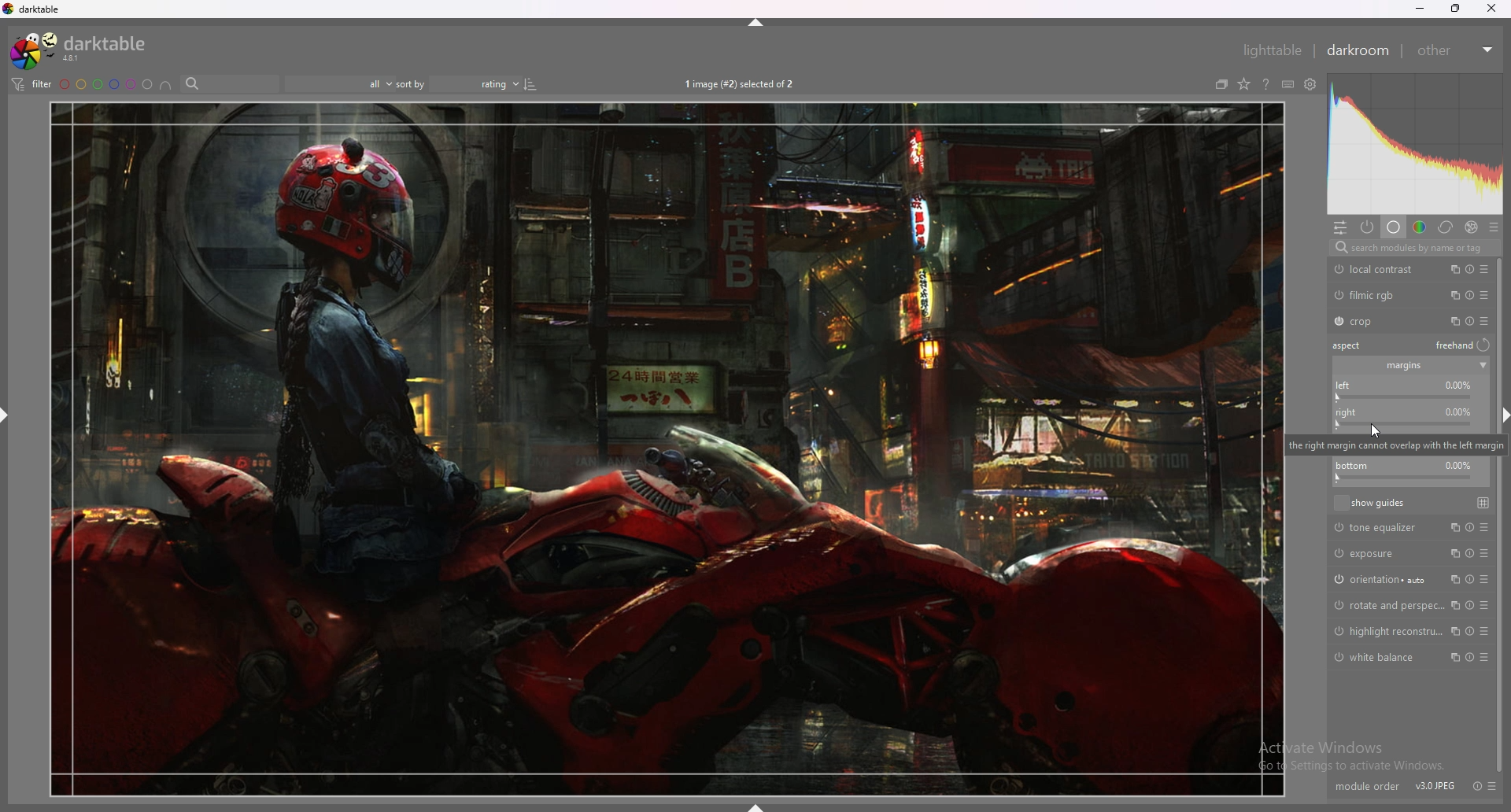 The height and width of the screenshot is (812, 1511). Describe the element at coordinates (1452, 579) in the screenshot. I see `multiple instances action` at that location.